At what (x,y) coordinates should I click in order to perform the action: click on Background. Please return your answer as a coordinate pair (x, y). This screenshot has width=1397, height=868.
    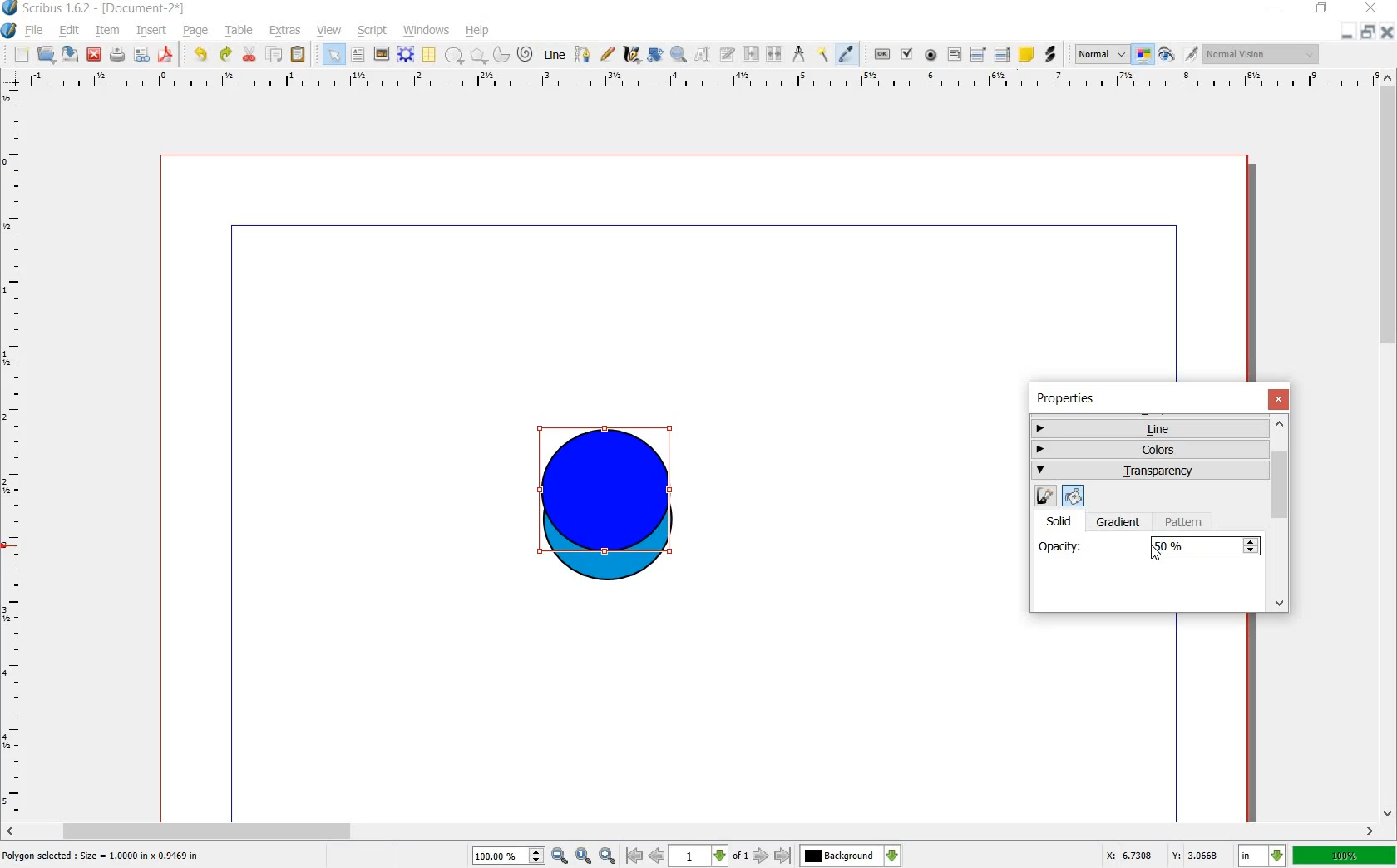
    Looking at the image, I should click on (851, 856).